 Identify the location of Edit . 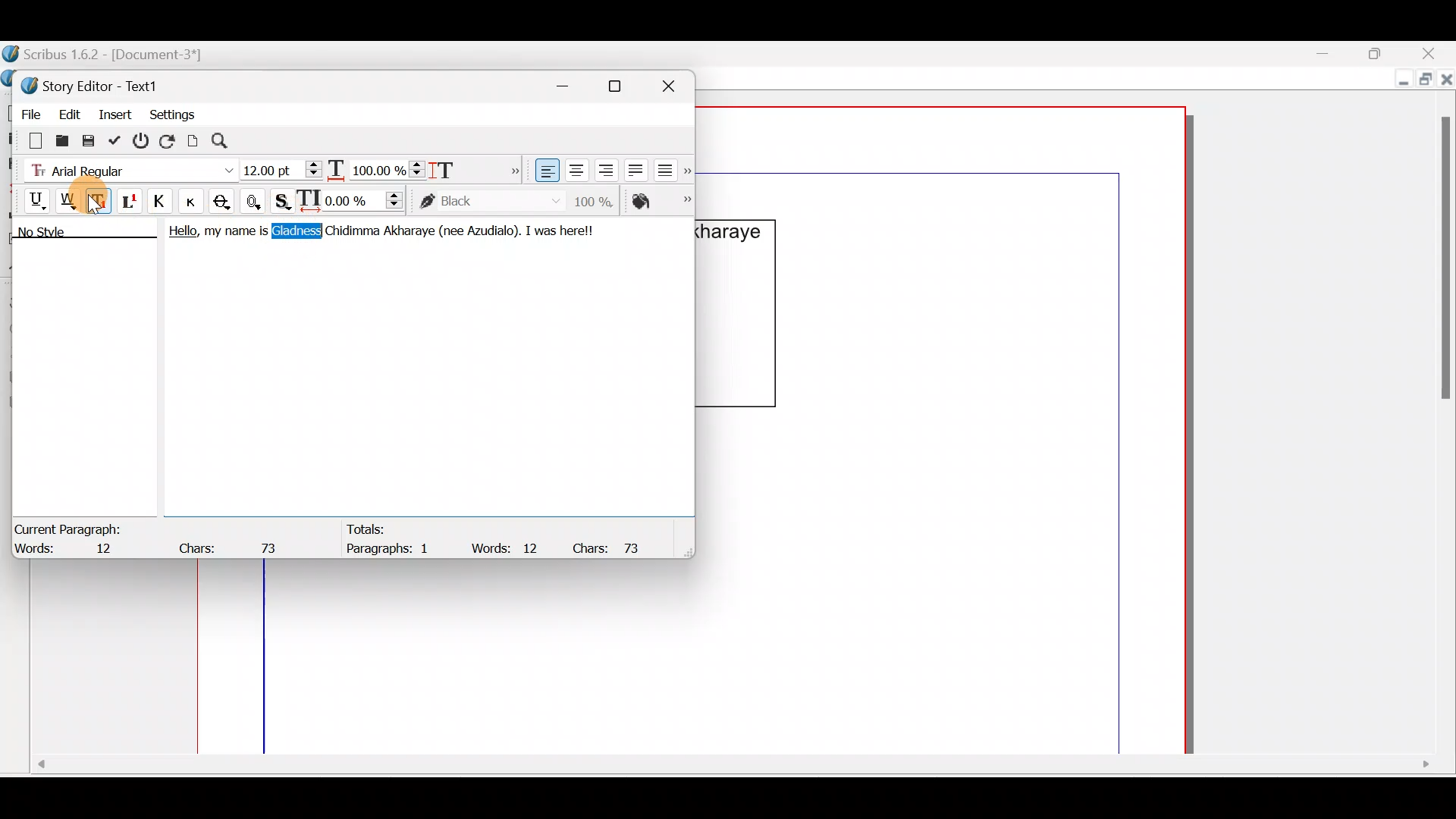
(69, 111).